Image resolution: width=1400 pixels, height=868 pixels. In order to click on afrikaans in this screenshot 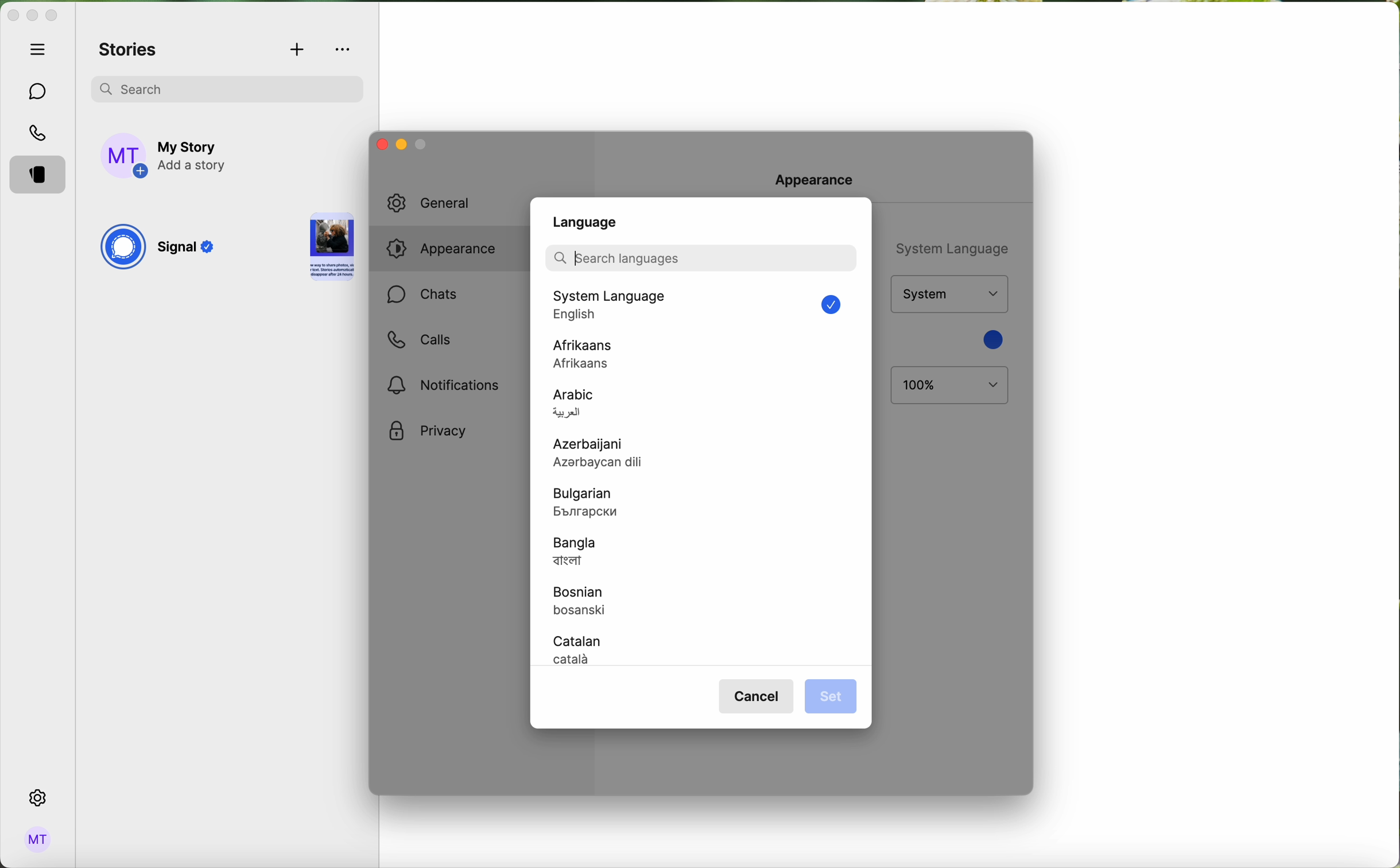, I will do `click(585, 354)`.